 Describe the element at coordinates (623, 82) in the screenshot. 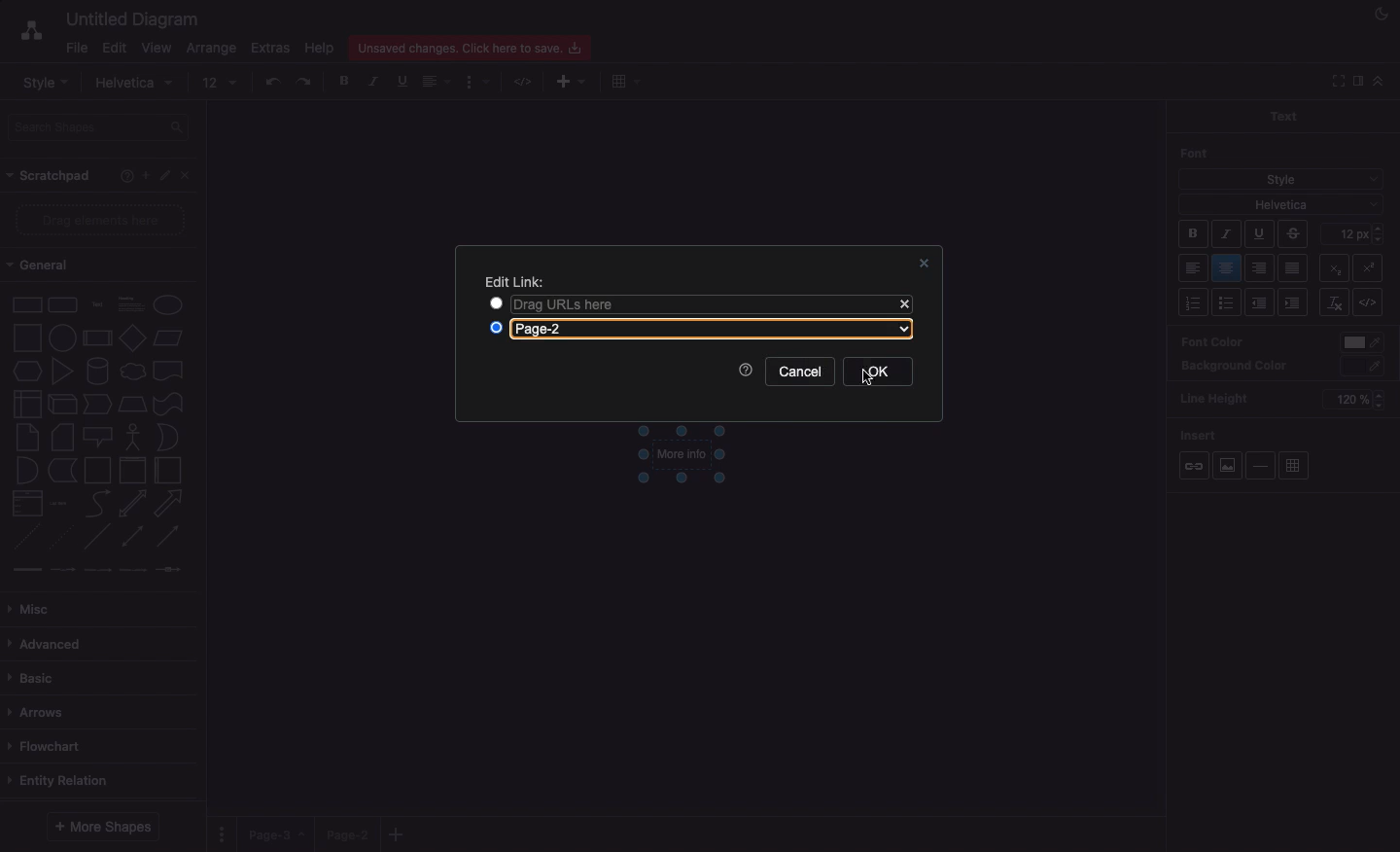

I see `Add` at that location.